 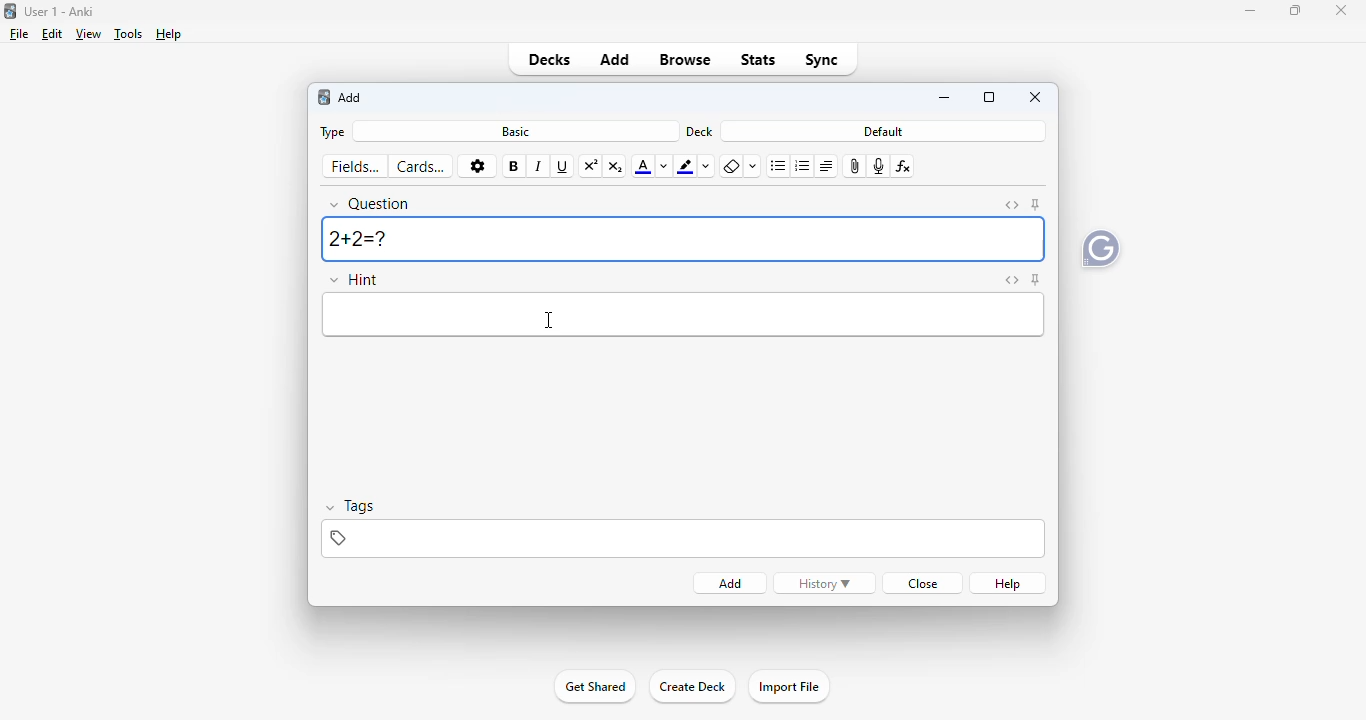 What do you see at coordinates (686, 315) in the screenshot?
I see `hint` at bounding box center [686, 315].